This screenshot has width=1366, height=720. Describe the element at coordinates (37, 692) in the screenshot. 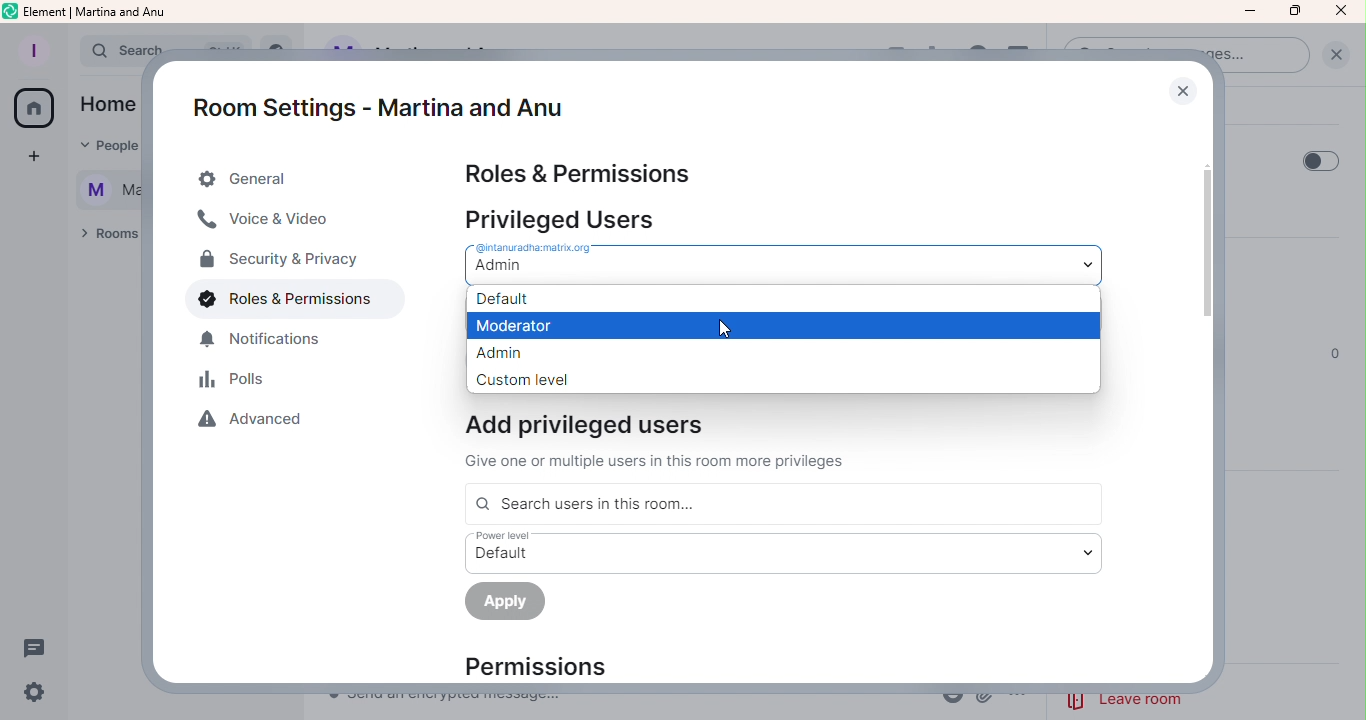

I see `Settings` at that location.